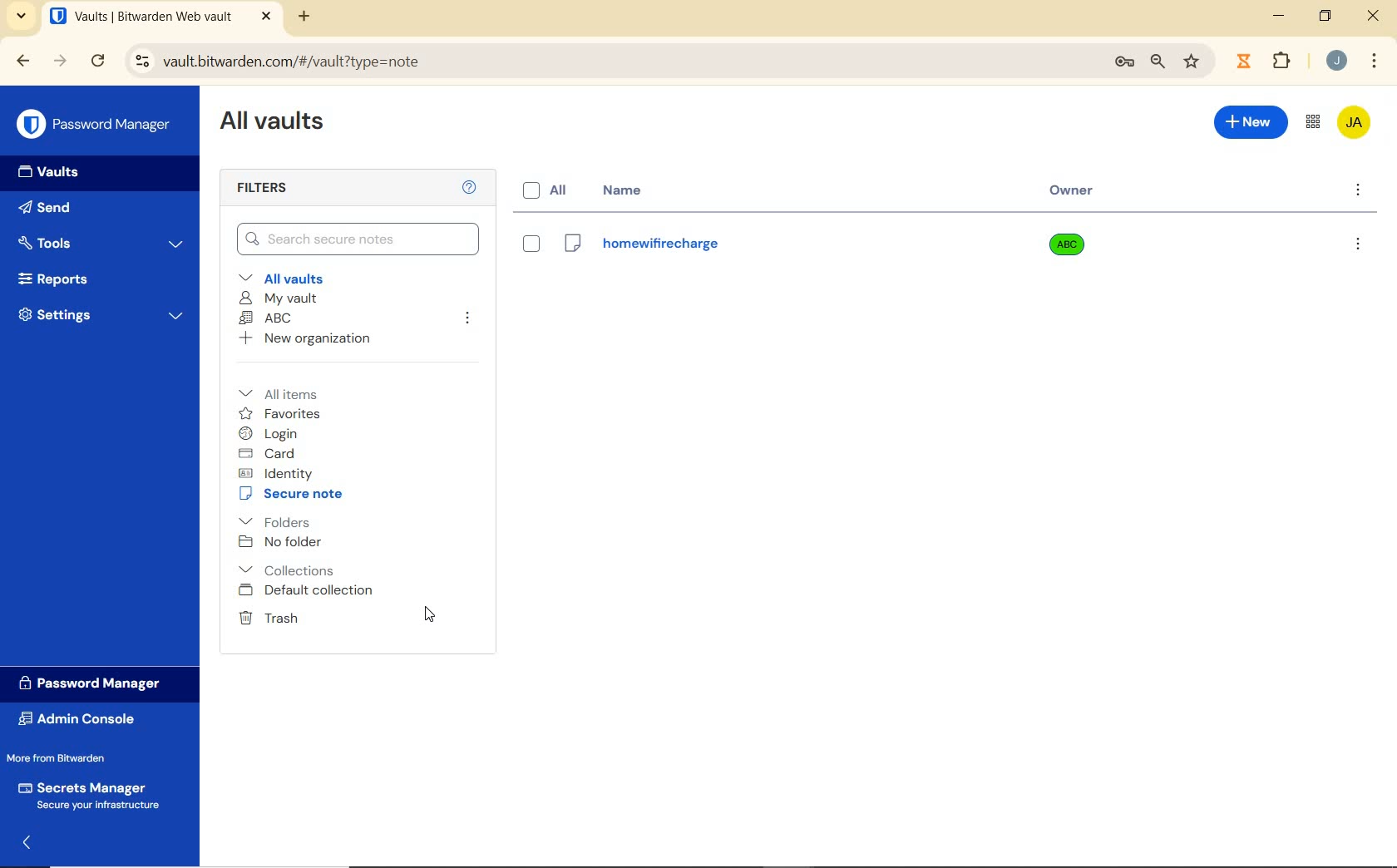 The height and width of the screenshot is (868, 1397). I want to click on Admin Console, so click(86, 718).